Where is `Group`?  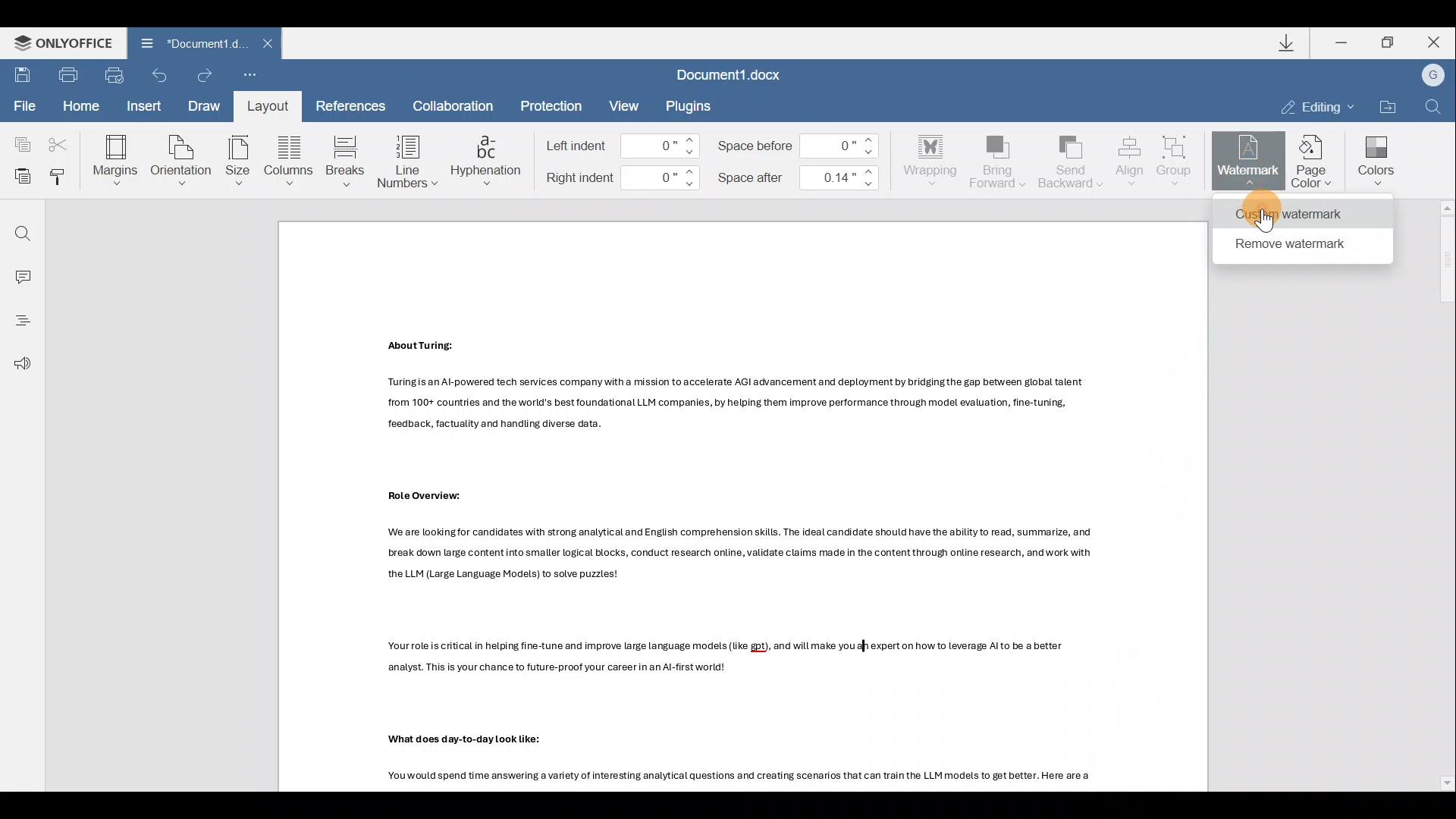
Group is located at coordinates (1179, 157).